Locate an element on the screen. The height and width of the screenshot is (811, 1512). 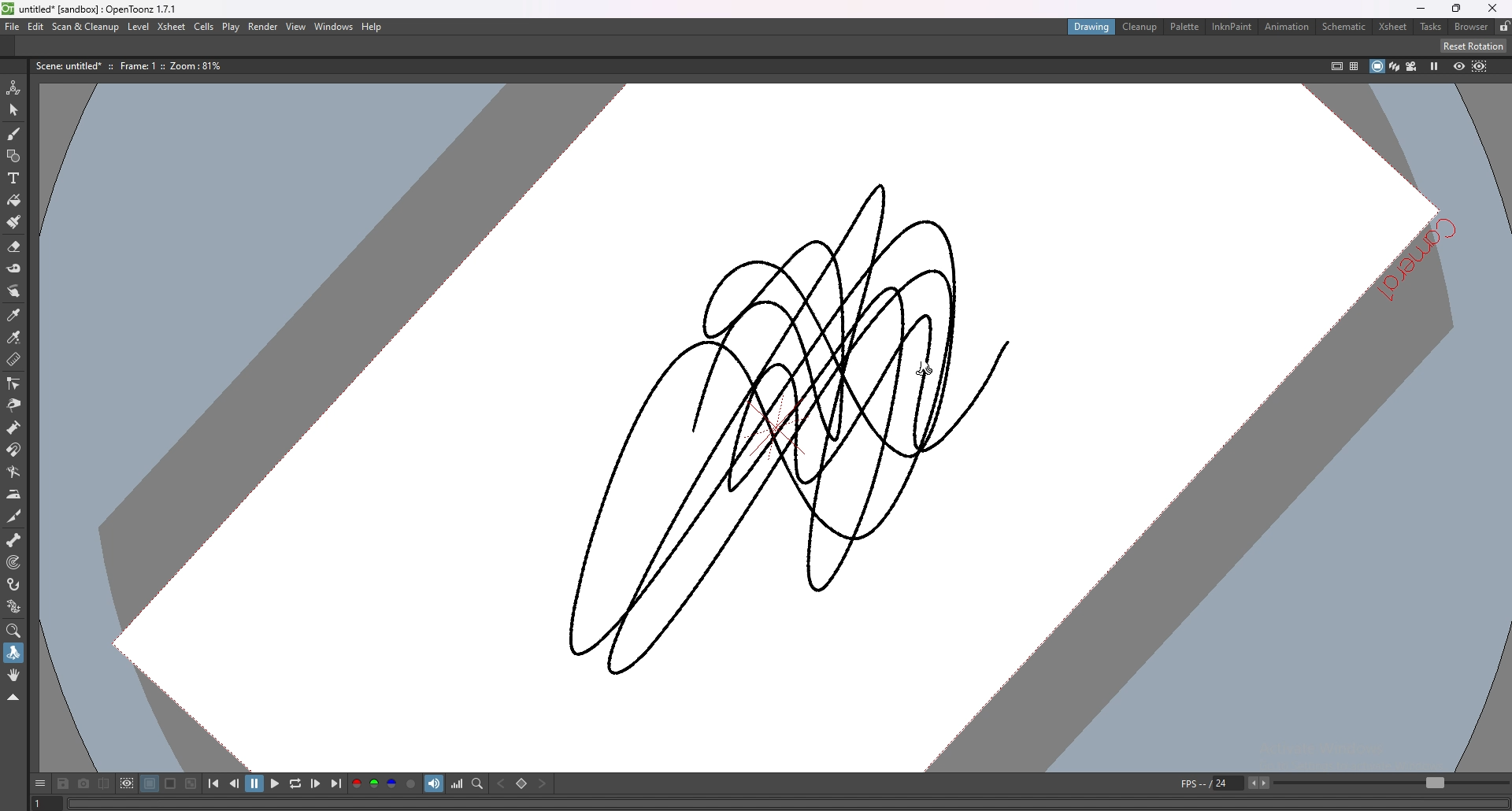
cursor is located at coordinates (926, 371).